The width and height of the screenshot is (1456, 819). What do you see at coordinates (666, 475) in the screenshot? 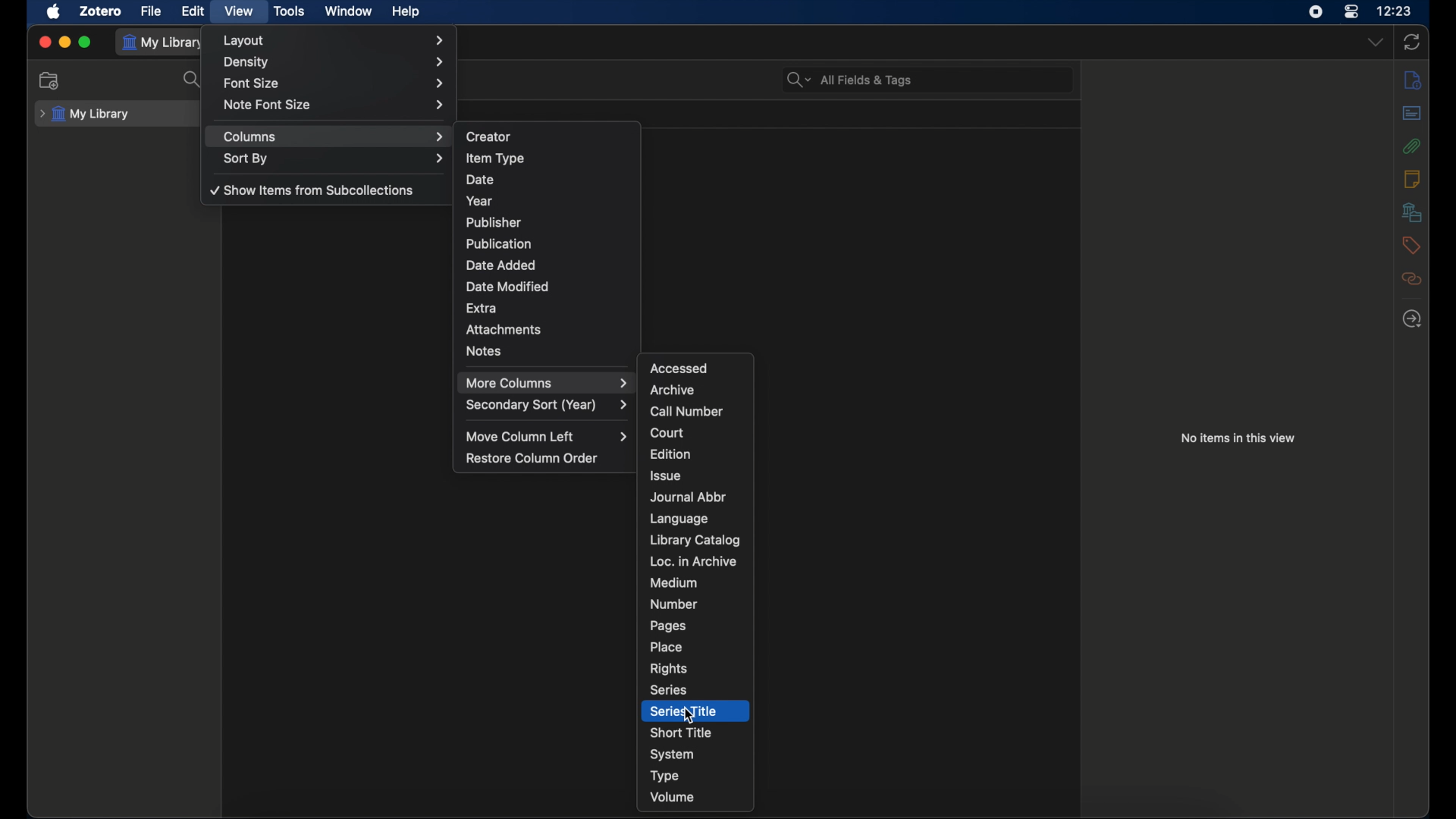
I see `issue` at bounding box center [666, 475].